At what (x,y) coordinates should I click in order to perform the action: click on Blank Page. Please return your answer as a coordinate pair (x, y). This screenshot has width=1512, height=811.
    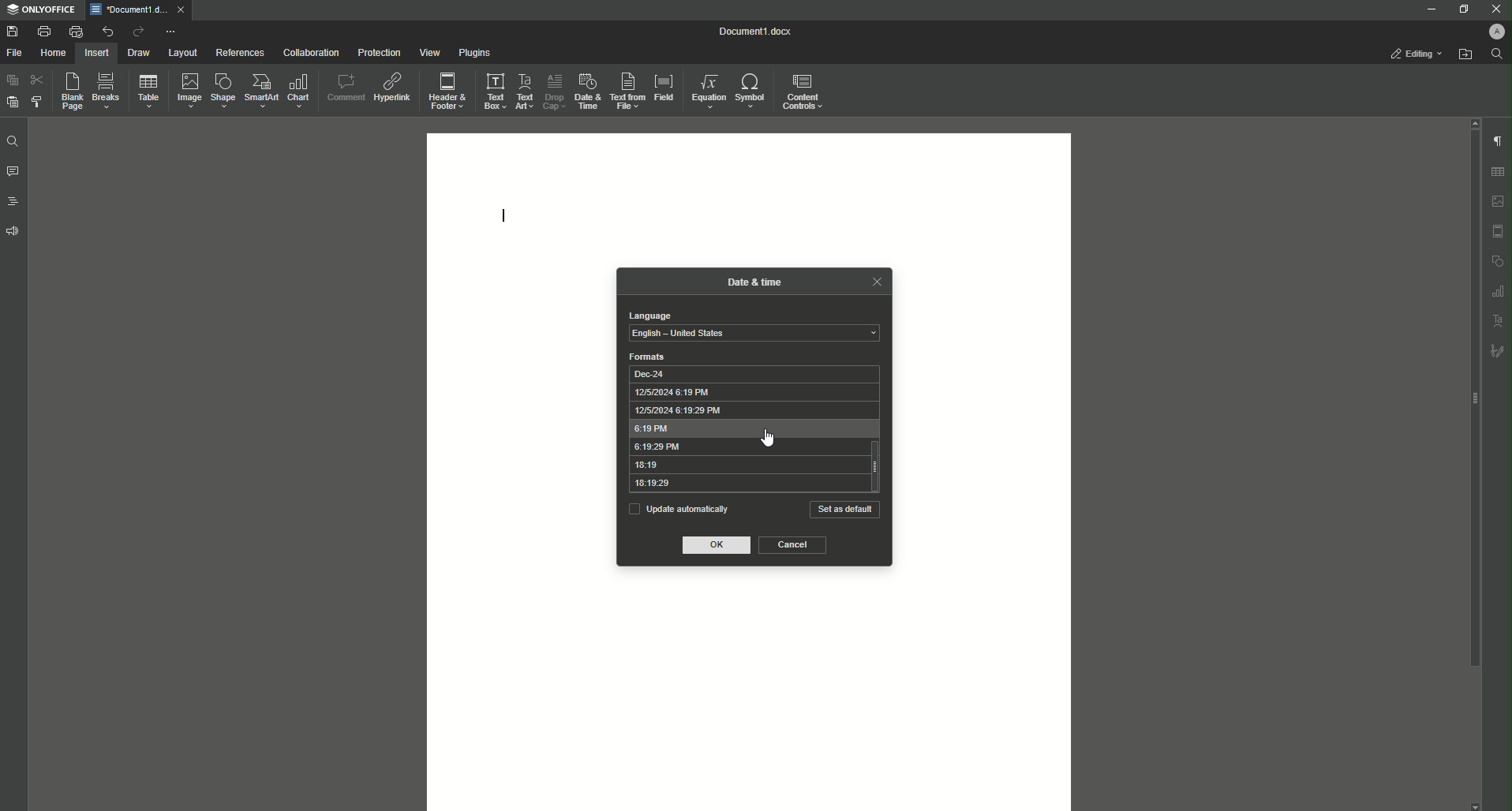
    Looking at the image, I should click on (68, 92).